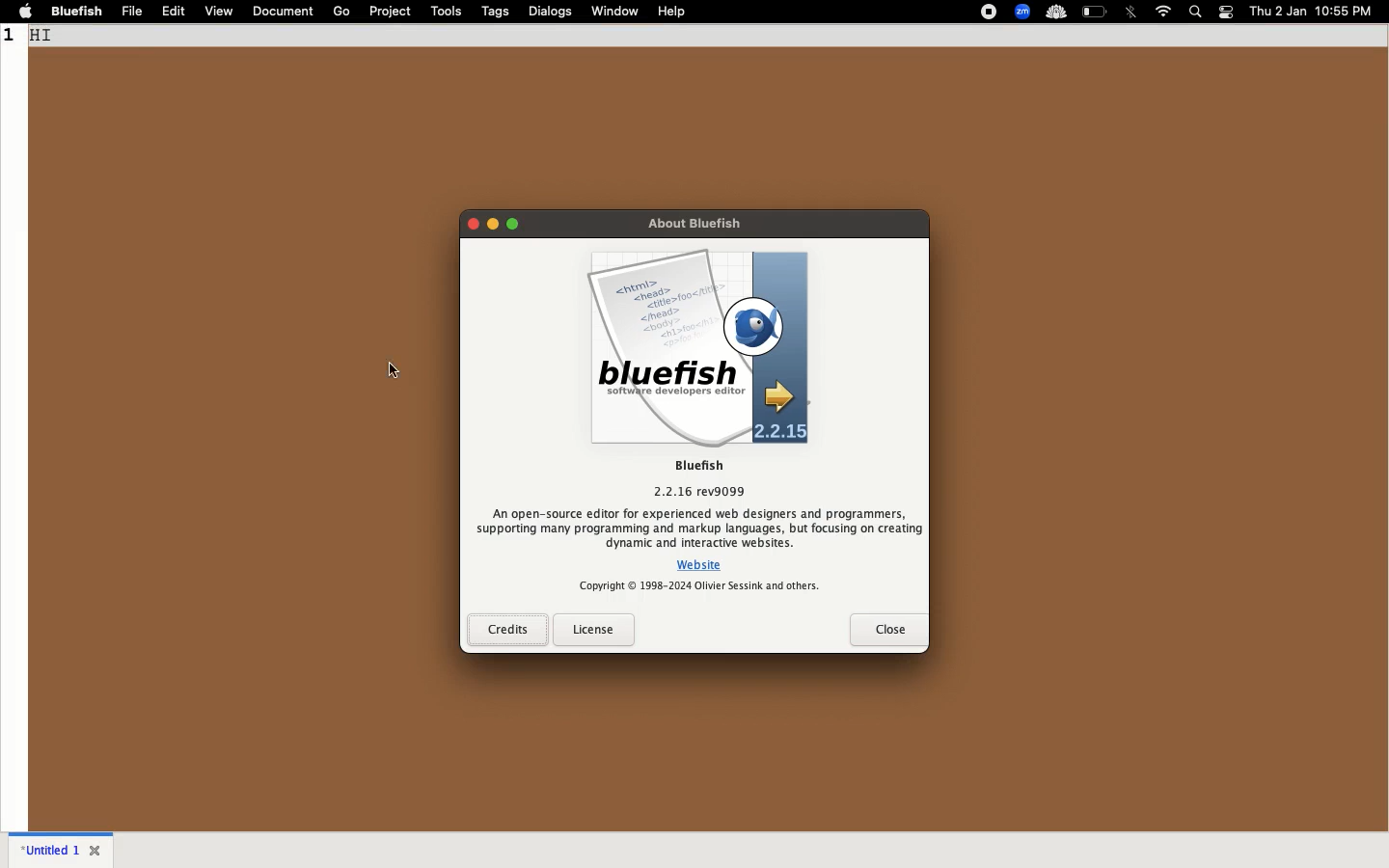 The width and height of the screenshot is (1389, 868). I want to click on close, so click(889, 630).